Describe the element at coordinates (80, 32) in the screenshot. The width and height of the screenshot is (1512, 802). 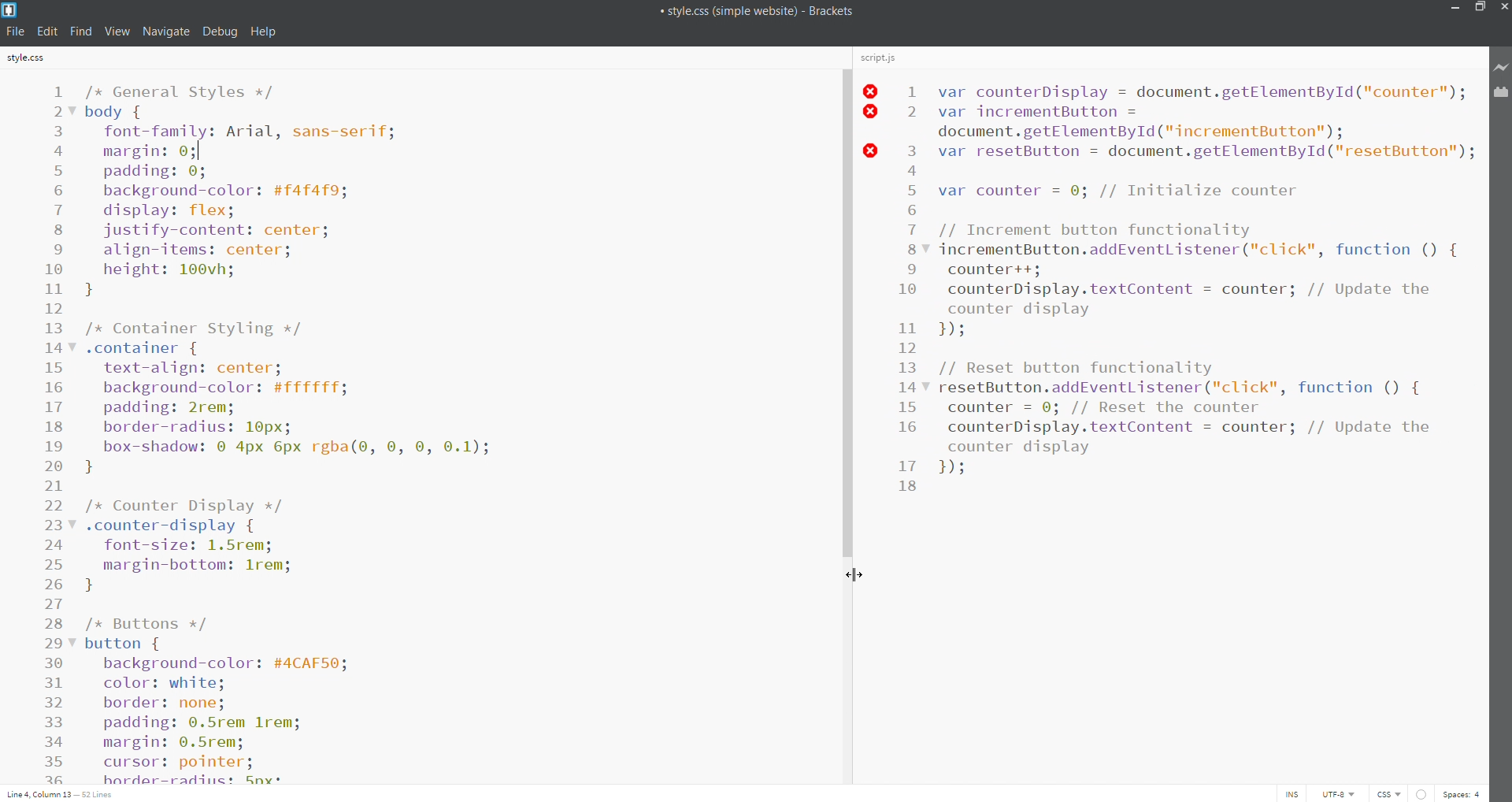
I see `find` at that location.